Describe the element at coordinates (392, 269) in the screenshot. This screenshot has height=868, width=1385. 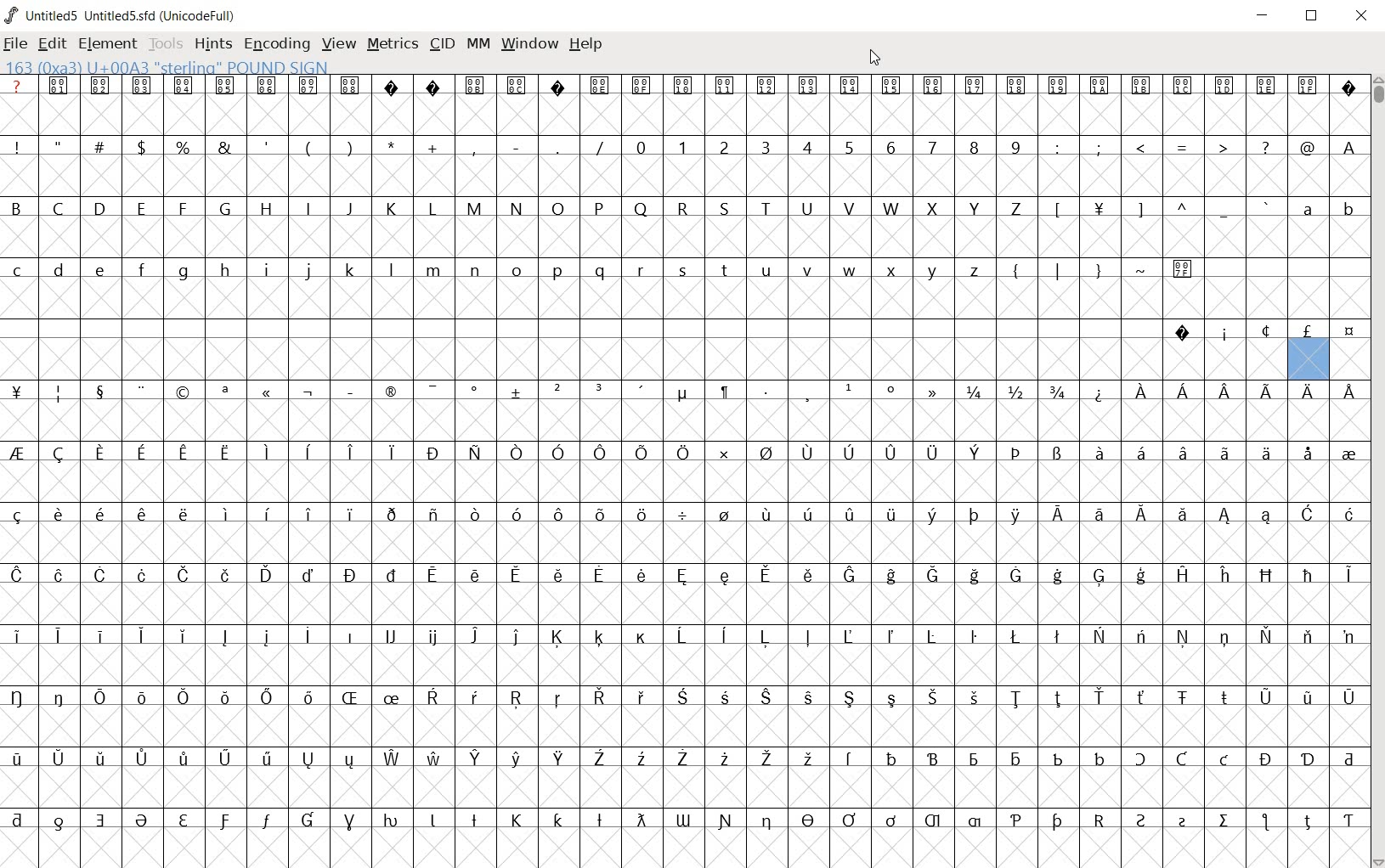
I see `l` at that location.